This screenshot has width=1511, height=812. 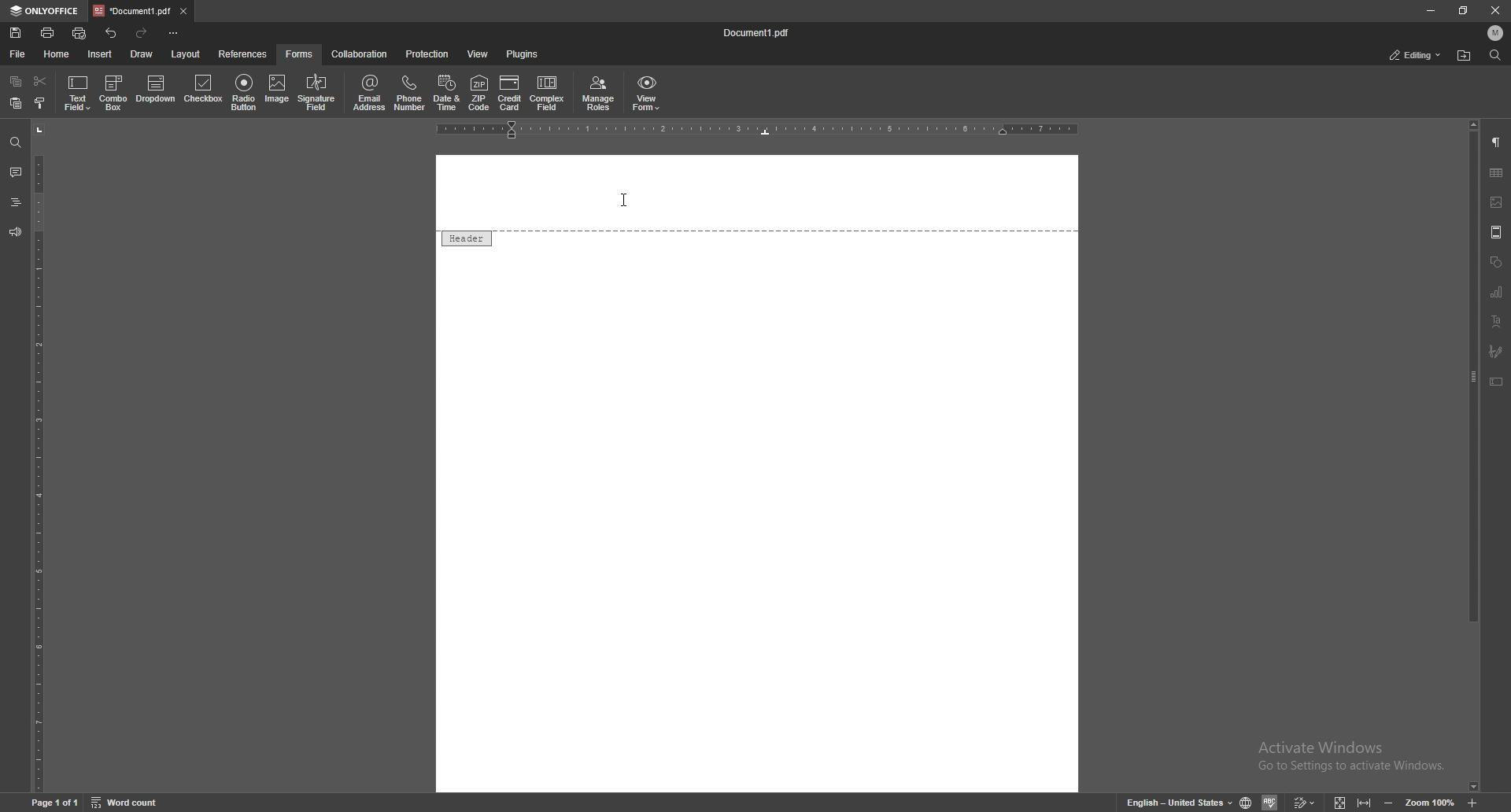 What do you see at coordinates (1247, 800) in the screenshot?
I see `change doc language` at bounding box center [1247, 800].